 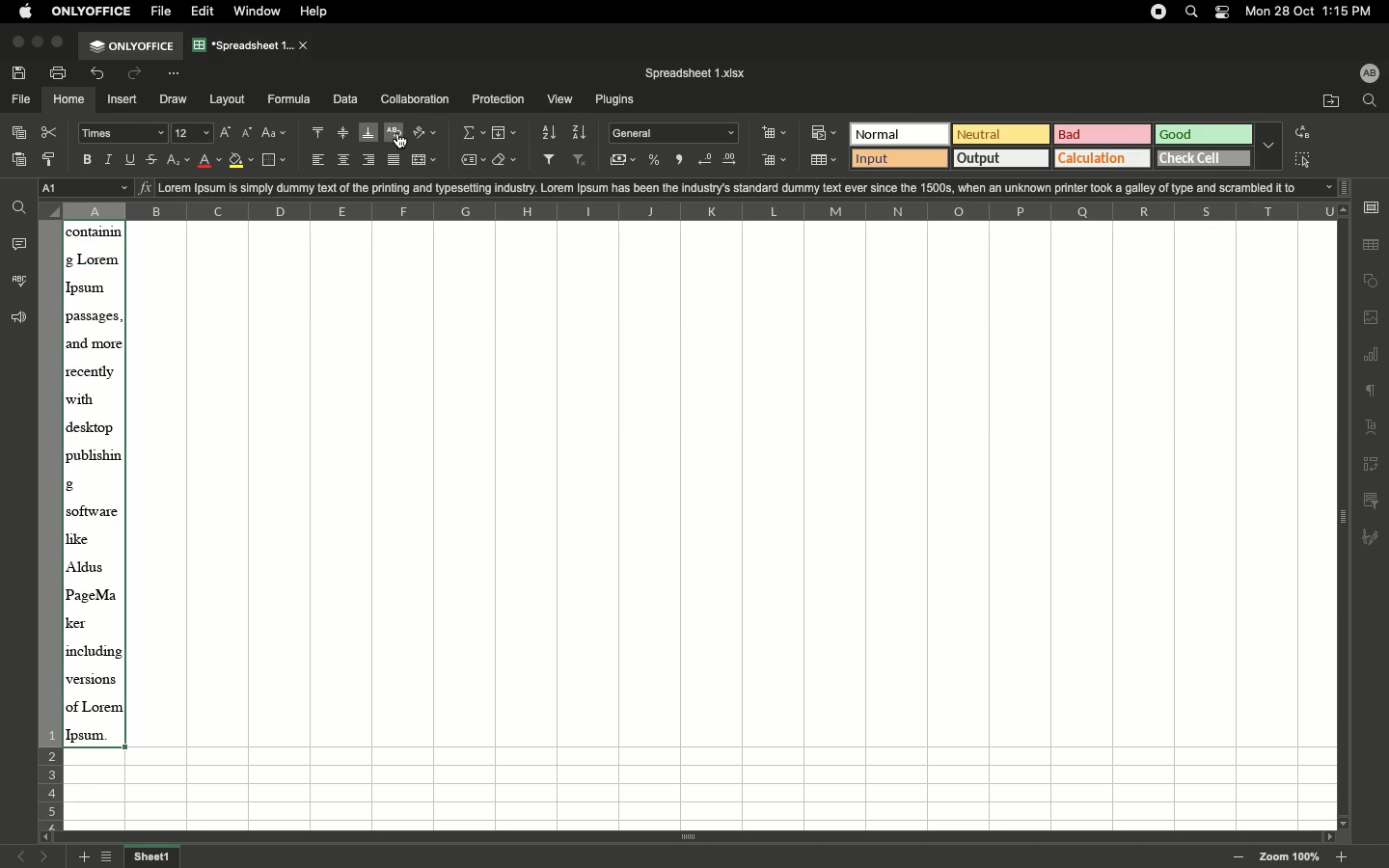 What do you see at coordinates (1104, 158) in the screenshot?
I see `Calculation` at bounding box center [1104, 158].